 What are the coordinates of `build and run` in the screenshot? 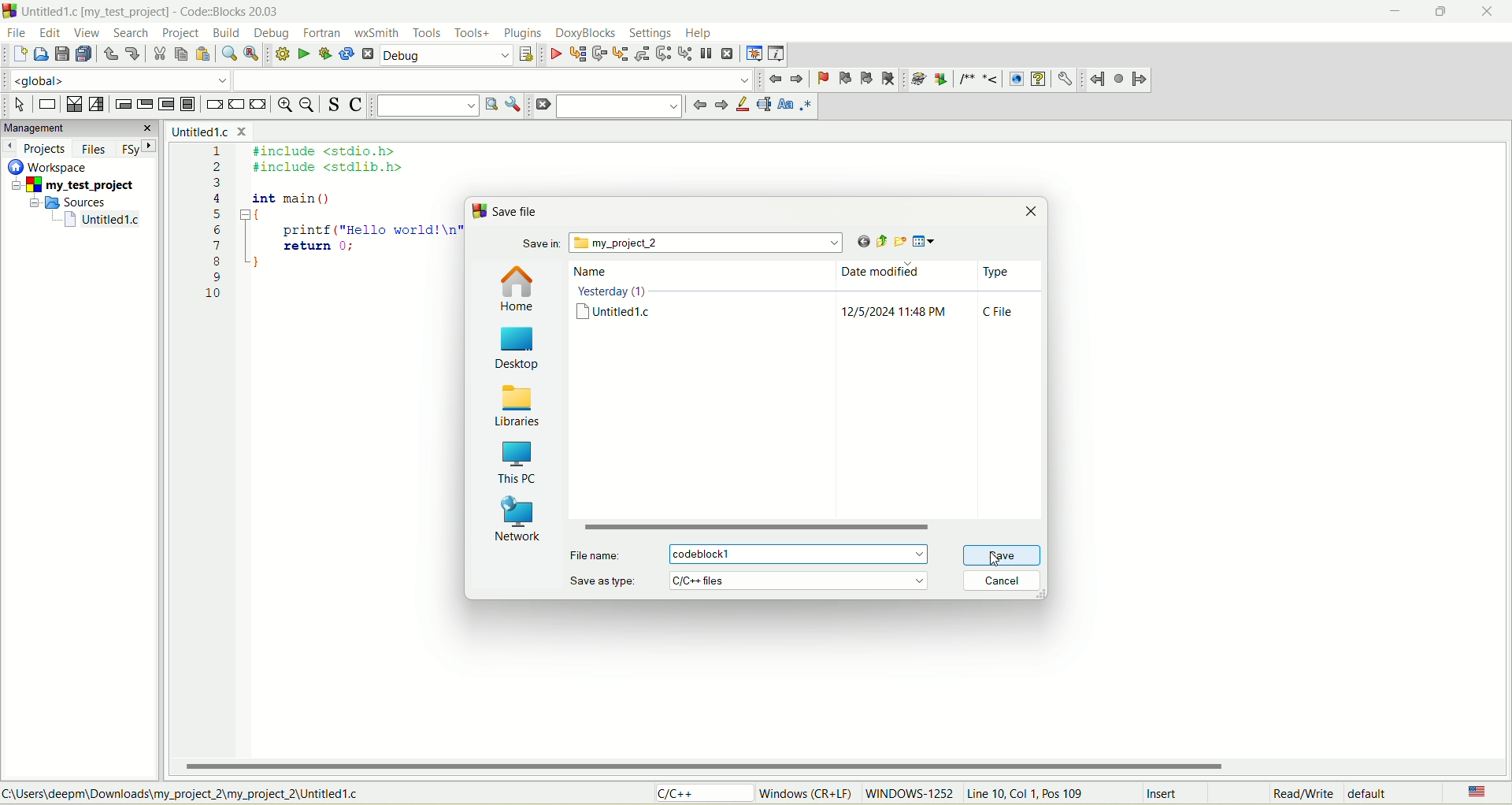 It's located at (326, 54).